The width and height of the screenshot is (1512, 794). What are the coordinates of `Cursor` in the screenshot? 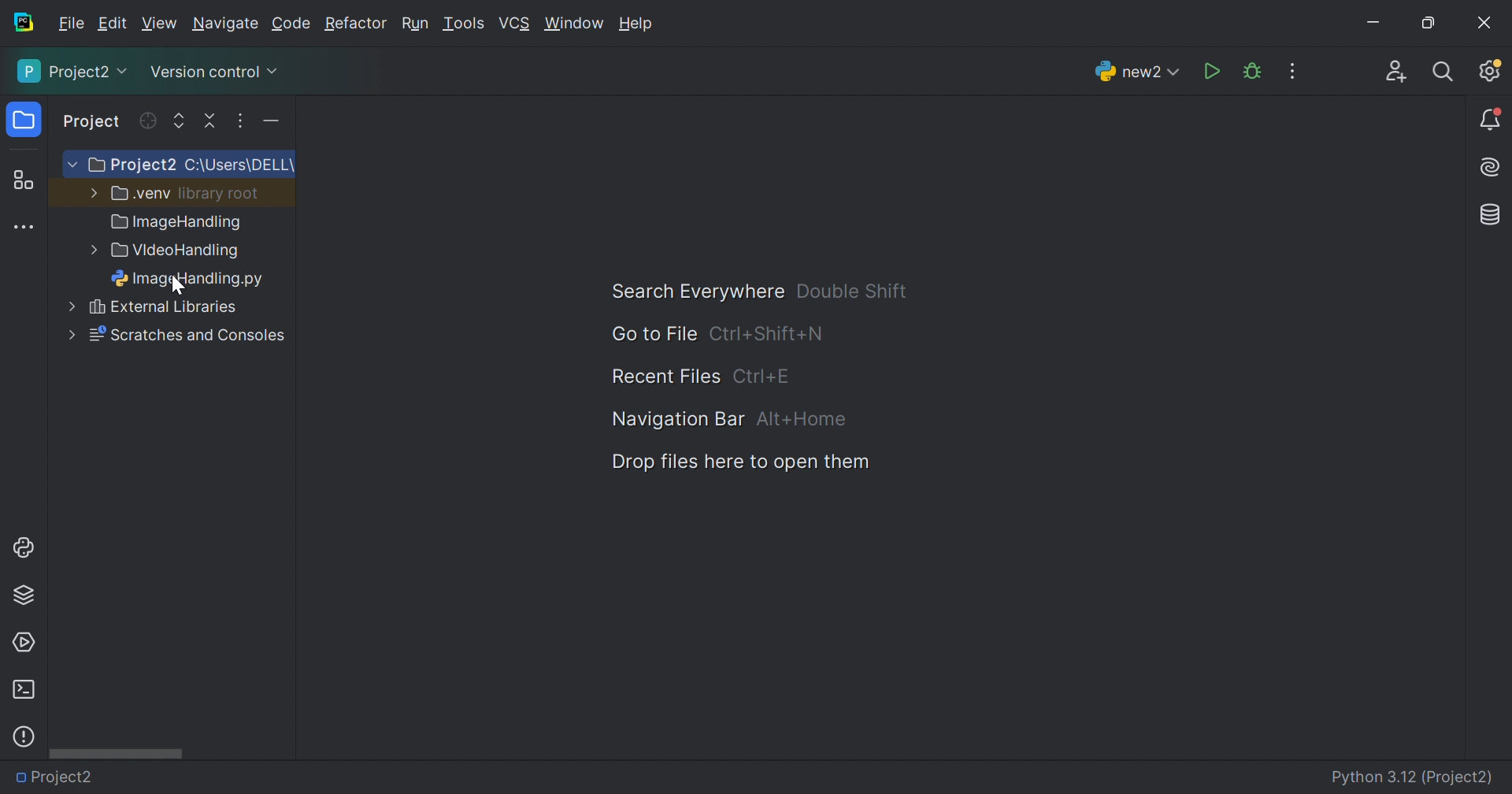 It's located at (178, 286).